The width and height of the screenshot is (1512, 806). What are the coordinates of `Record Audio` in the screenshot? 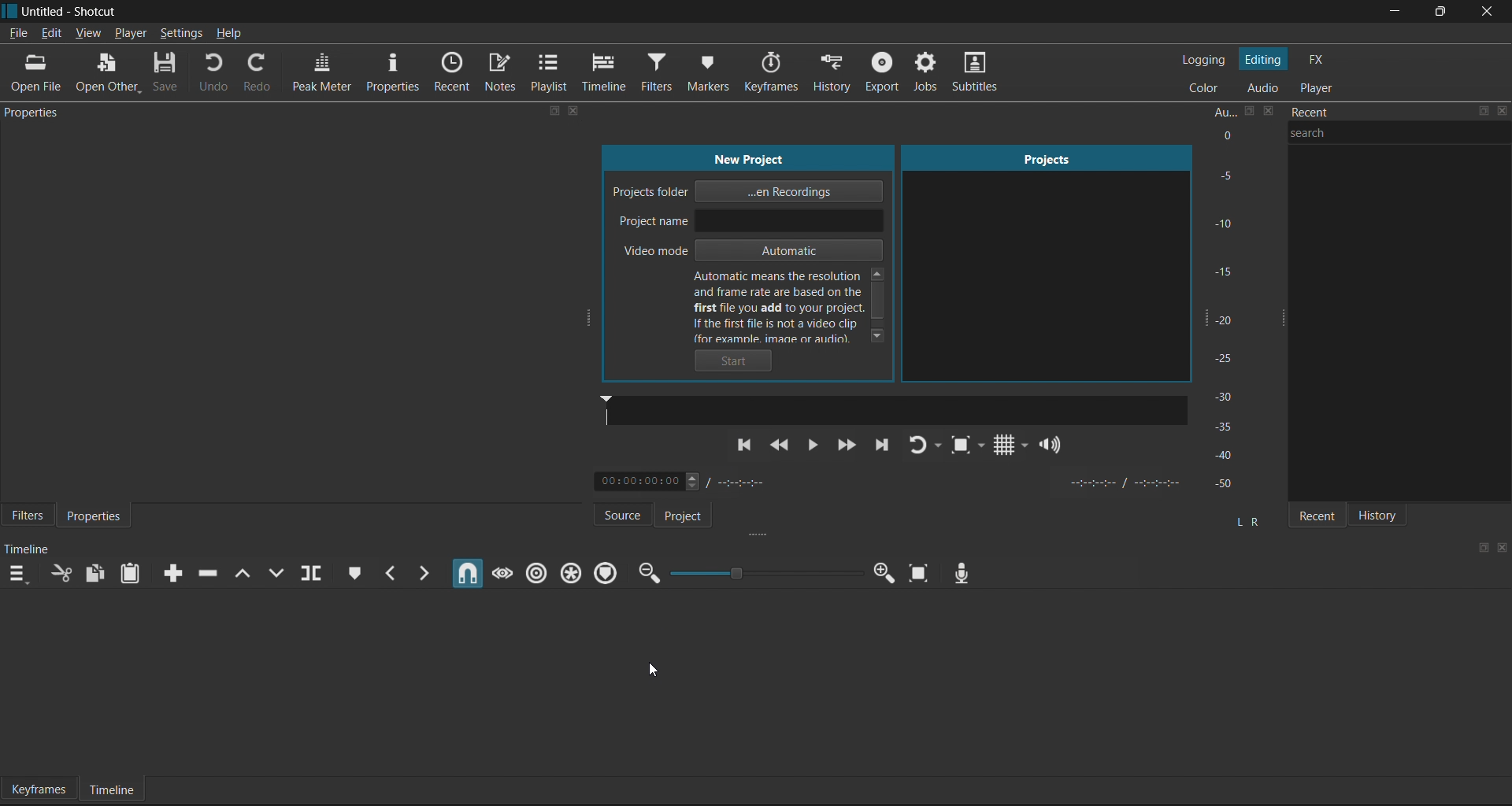 It's located at (960, 571).